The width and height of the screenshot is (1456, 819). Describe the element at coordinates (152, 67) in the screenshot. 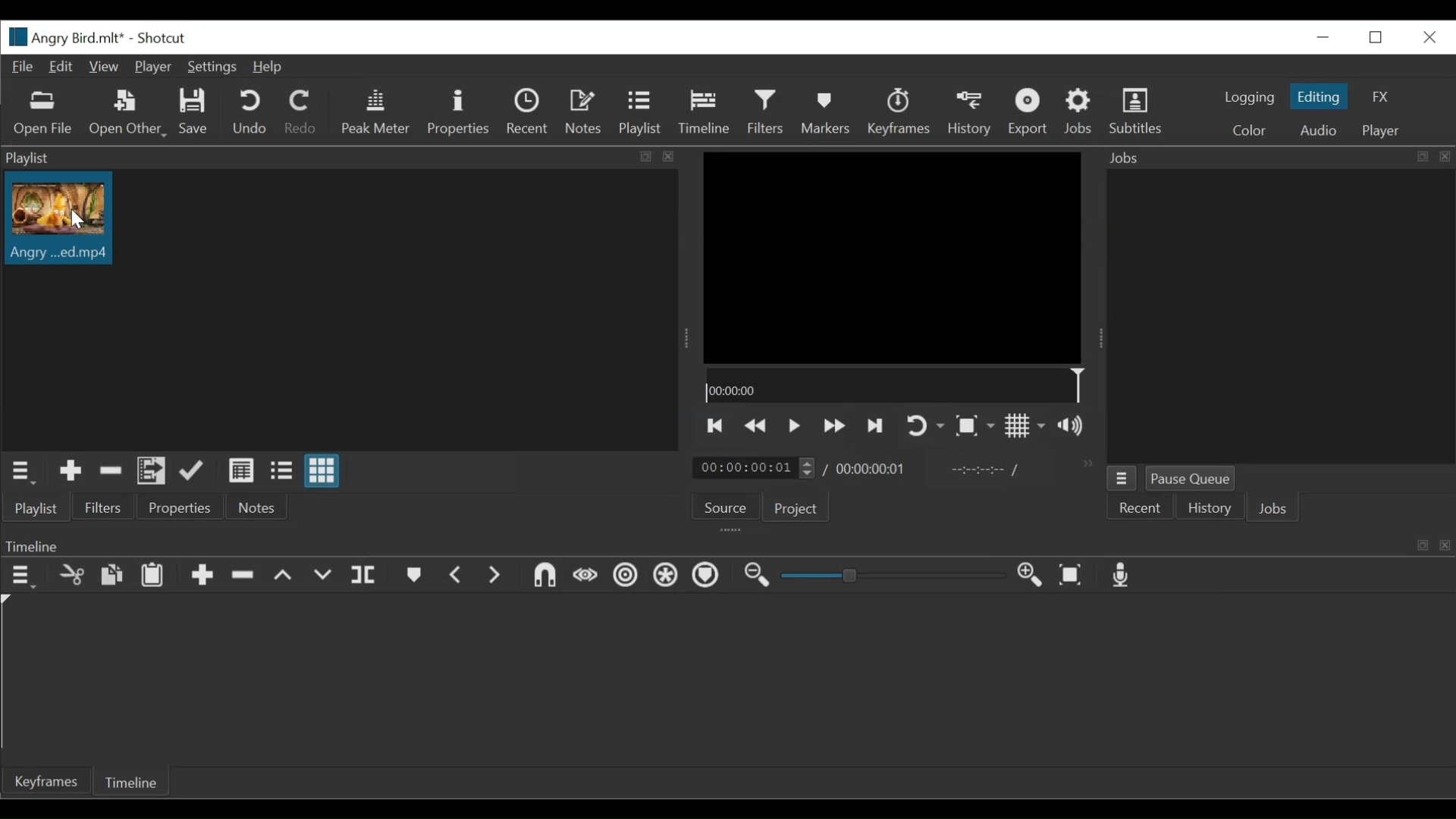

I see `Player` at that location.